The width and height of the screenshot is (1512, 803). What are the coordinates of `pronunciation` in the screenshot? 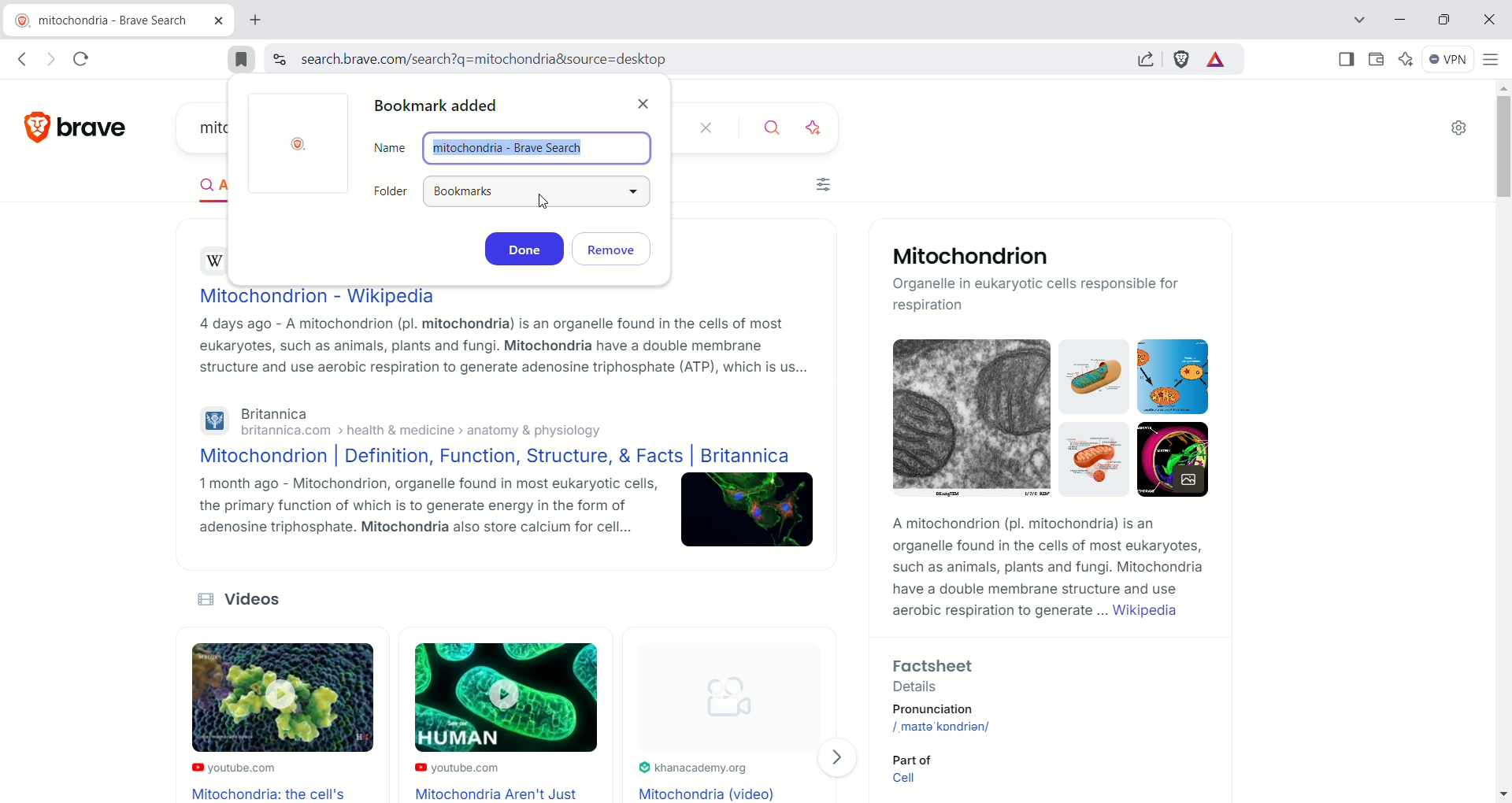 It's located at (956, 709).